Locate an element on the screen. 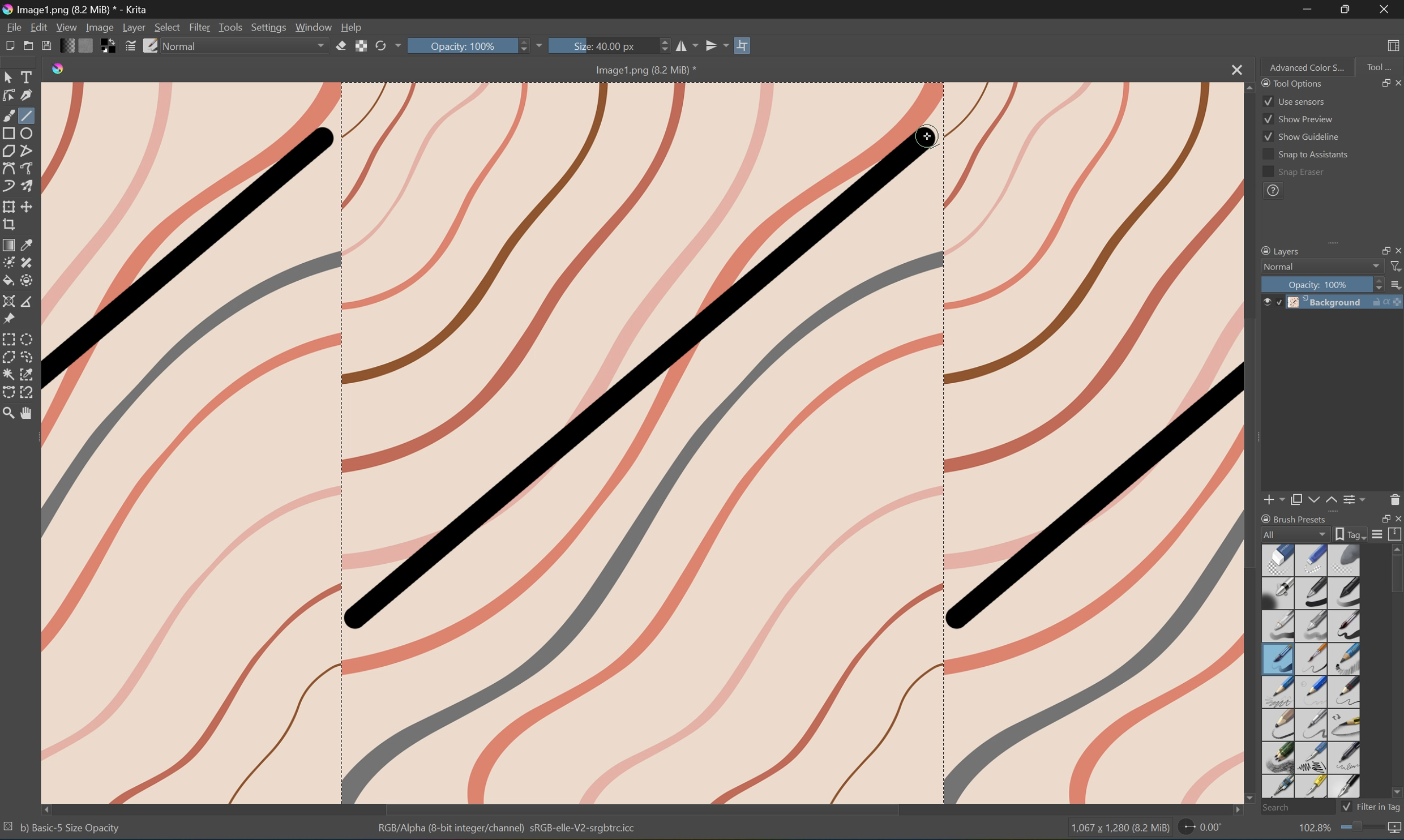 The height and width of the screenshot is (840, 1404). Layers is located at coordinates (1279, 250).